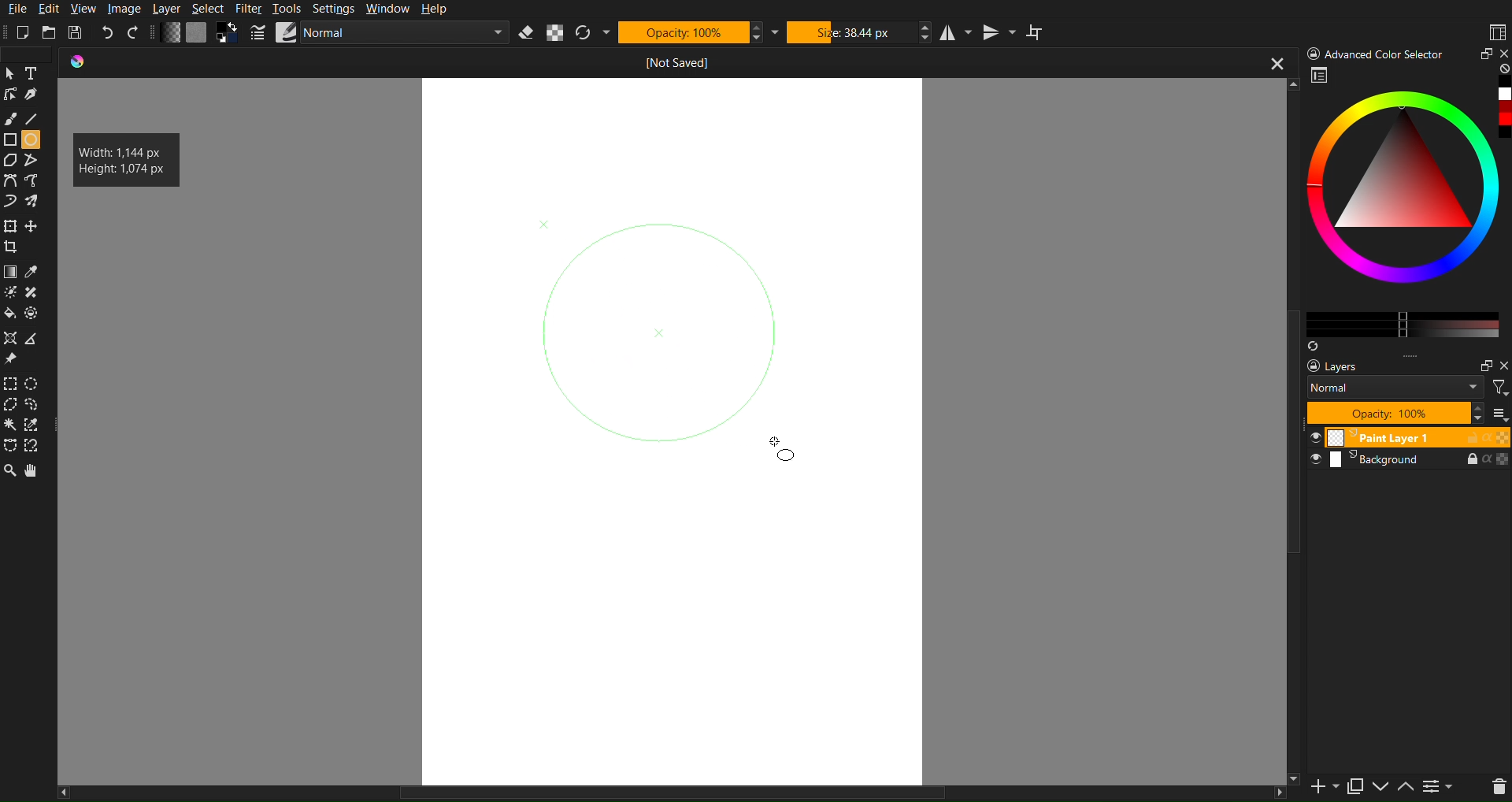  What do you see at coordinates (31, 32) in the screenshot?
I see `New` at bounding box center [31, 32].